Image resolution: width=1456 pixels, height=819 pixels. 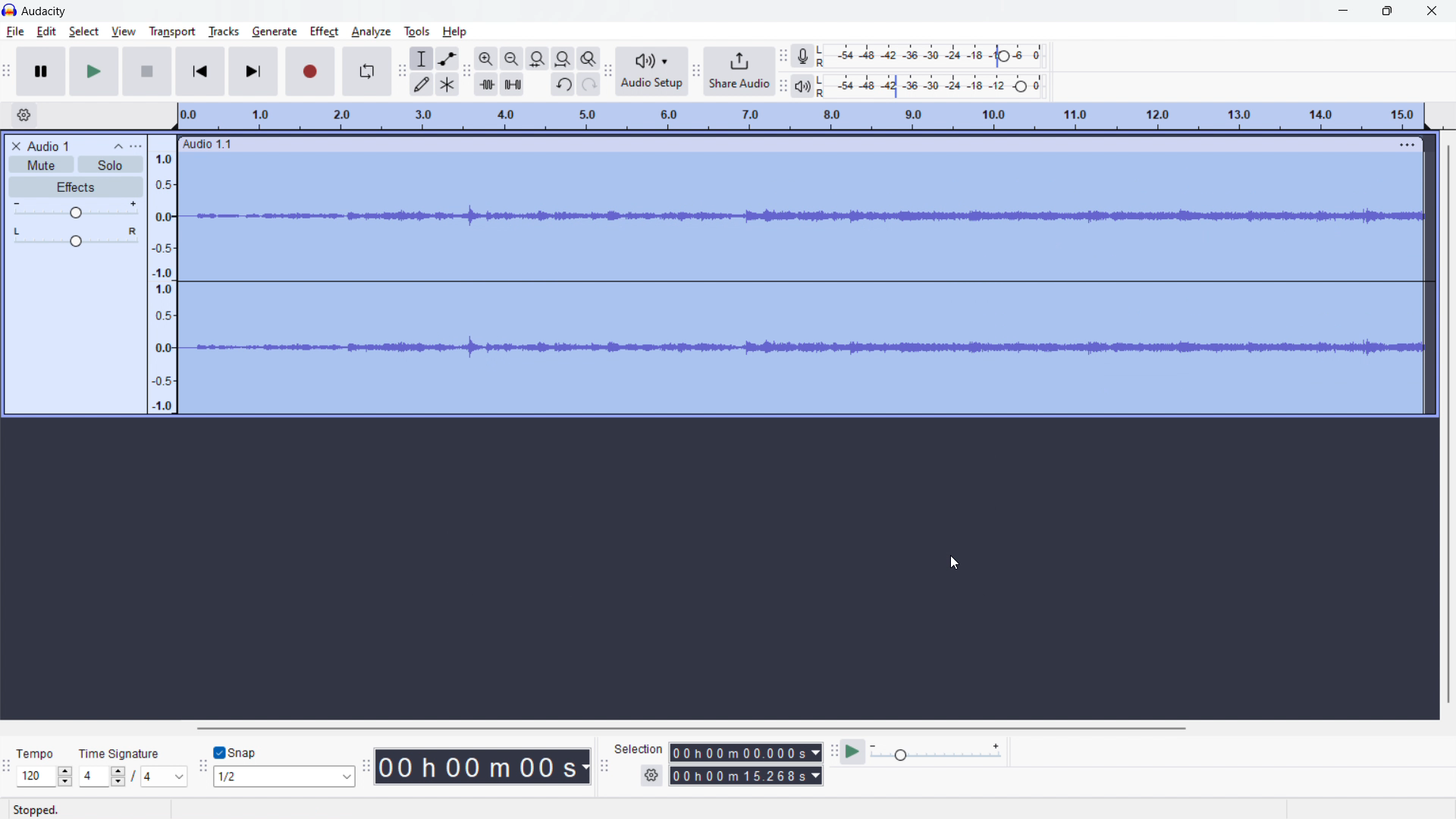 I want to click on fit selection to width, so click(x=538, y=58).